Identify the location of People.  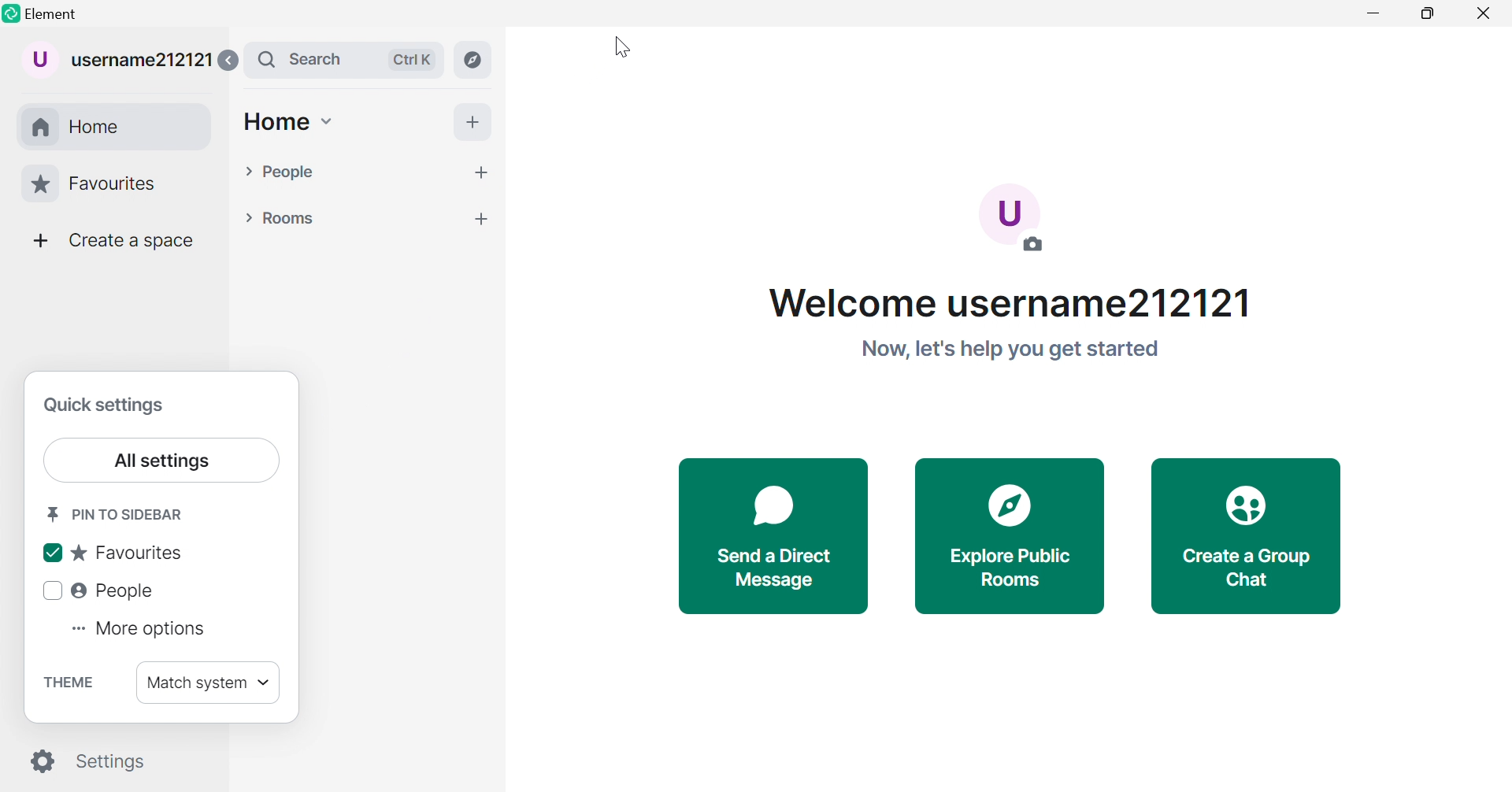
(280, 172).